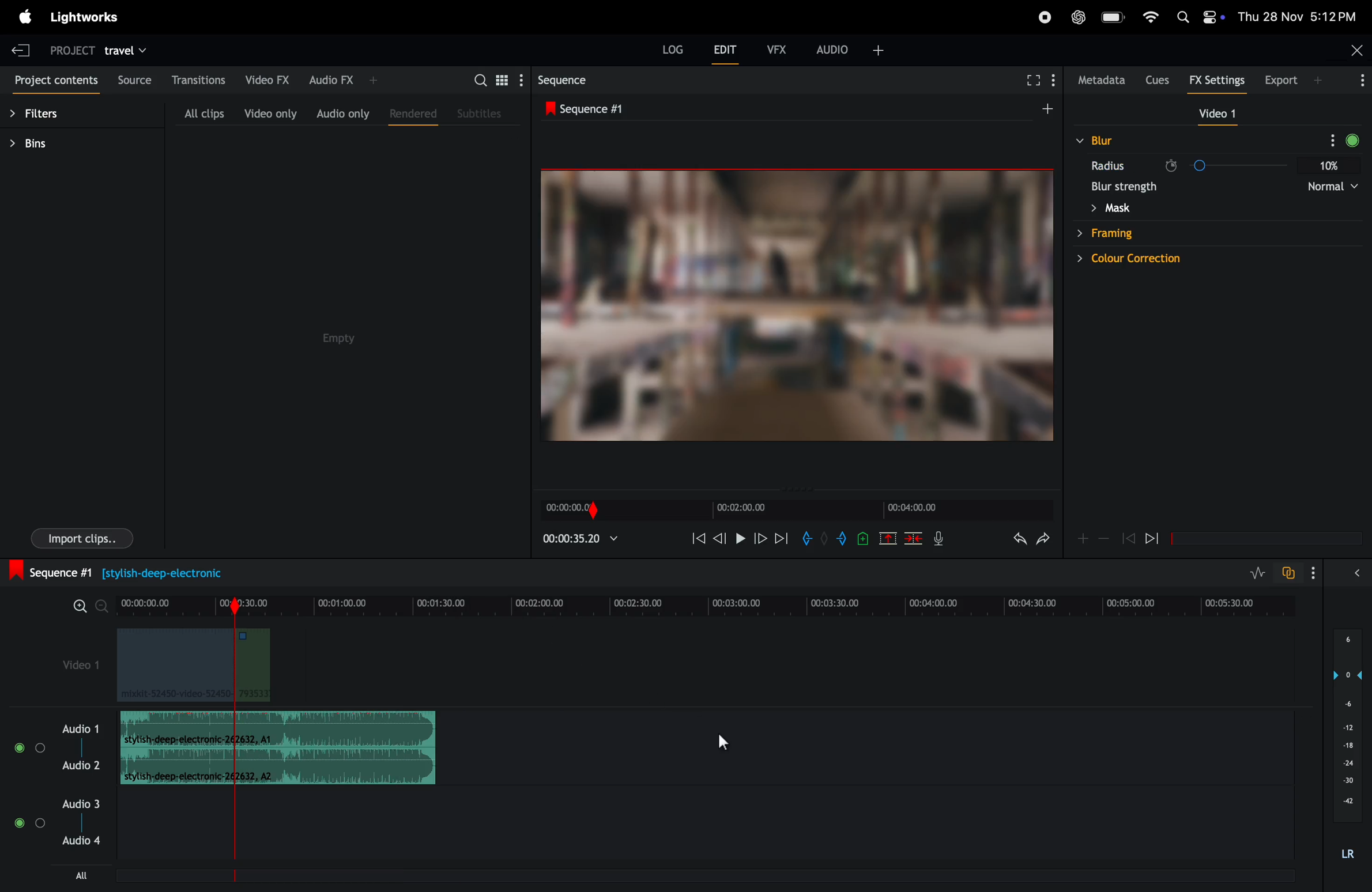 The width and height of the screenshot is (1372, 892). Describe the element at coordinates (191, 666) in the screenshot. I see `video clips` at that location.